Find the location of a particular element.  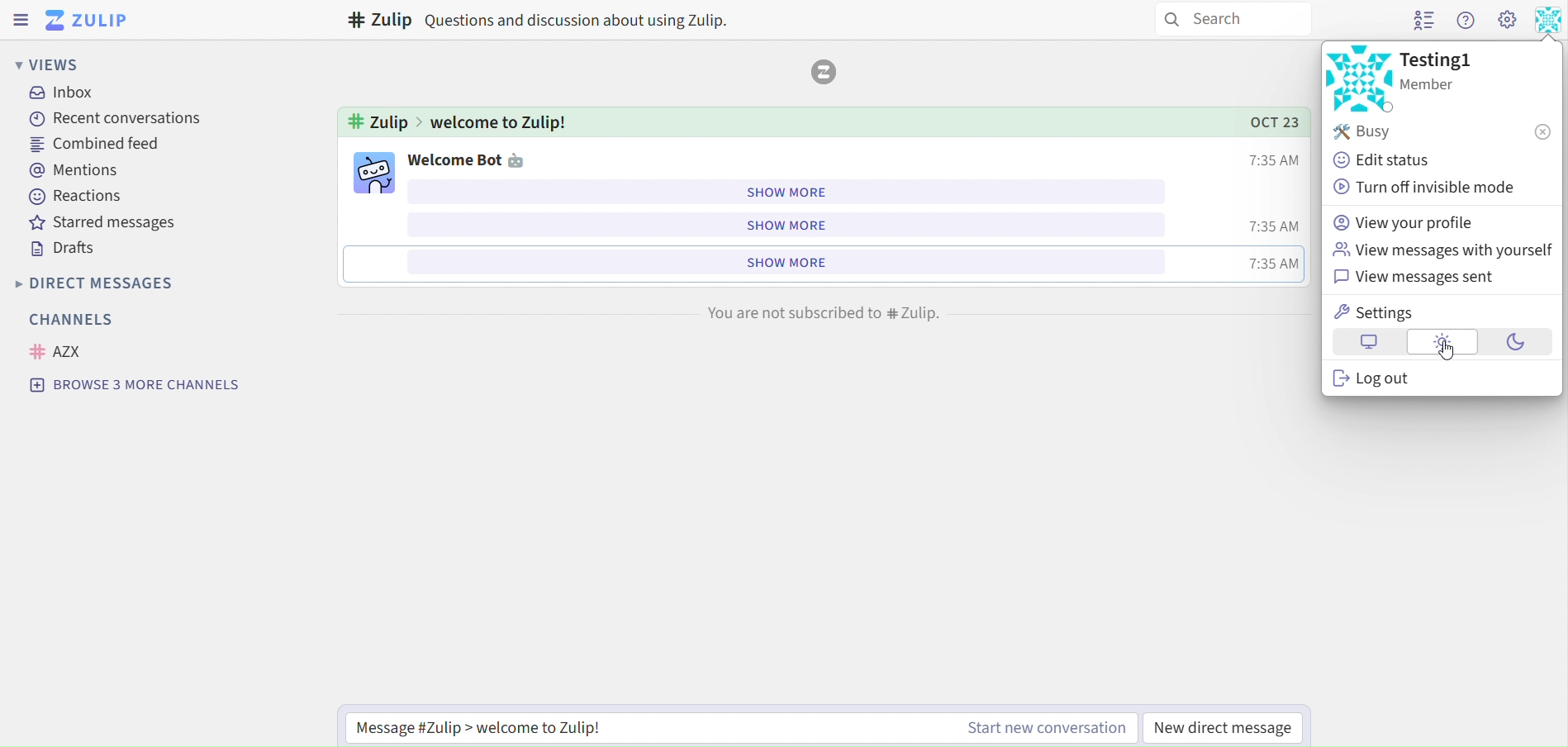

view messages with yourself is located at coordinates (1443, 251).